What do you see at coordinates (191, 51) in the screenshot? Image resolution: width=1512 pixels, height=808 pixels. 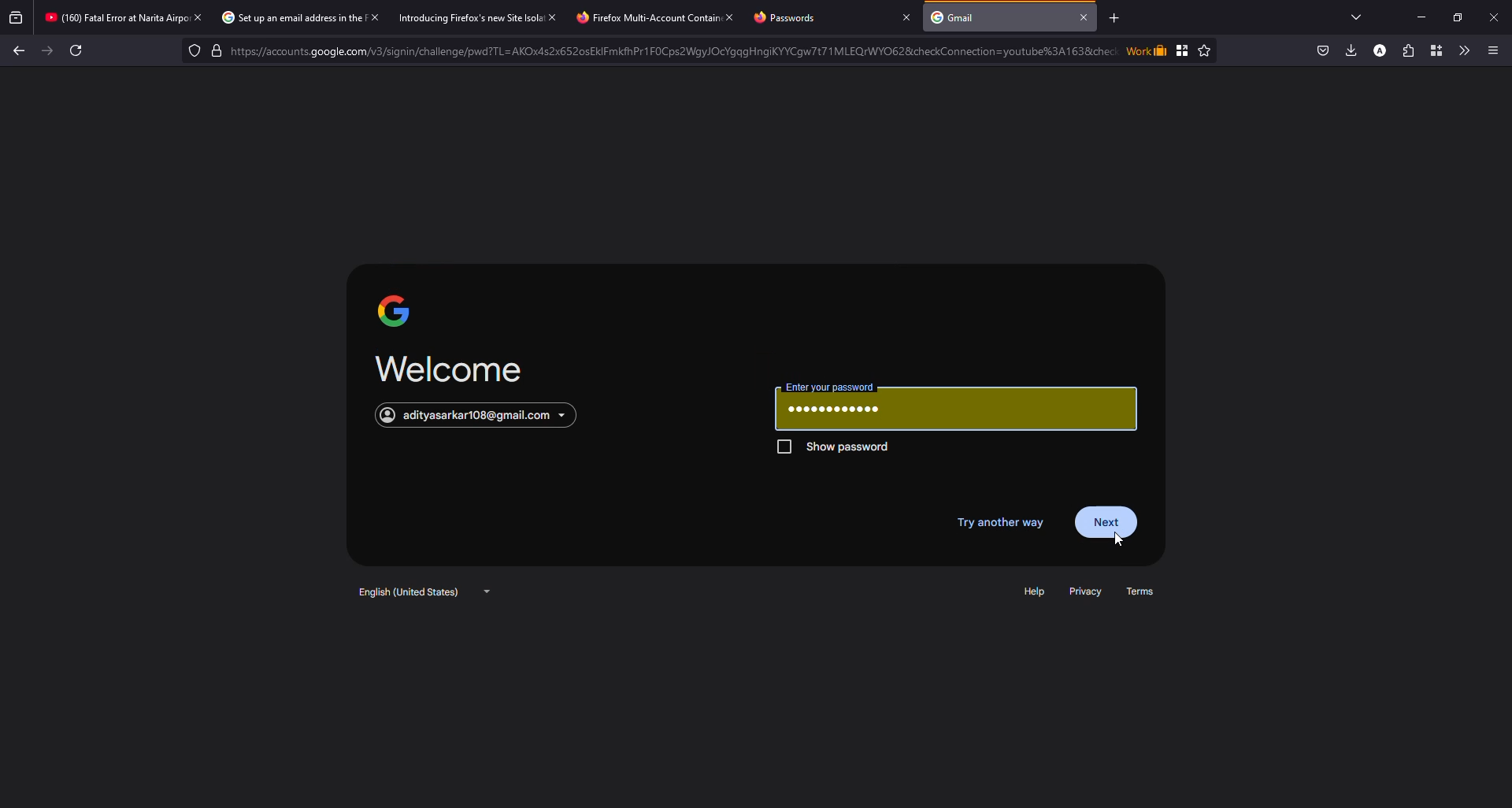 I see `tracking` at bounding box center [191, 51].